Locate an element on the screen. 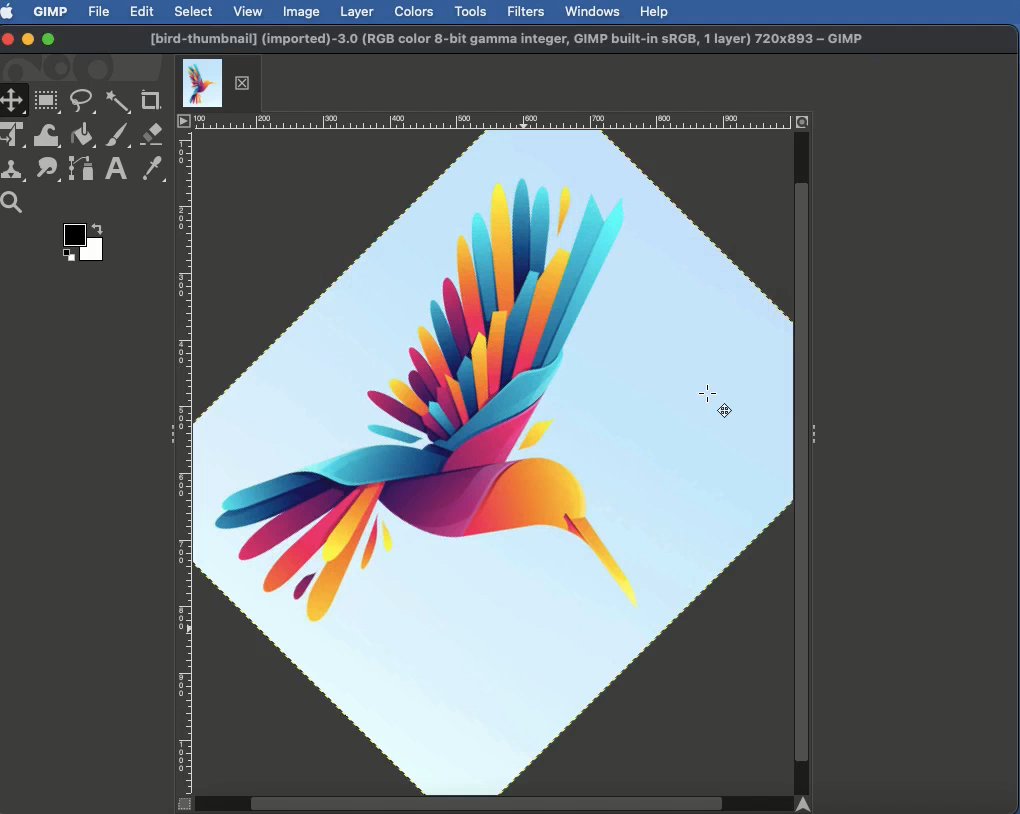 The image size is (1020, 814). Crop is located at coordinates (151, 101).